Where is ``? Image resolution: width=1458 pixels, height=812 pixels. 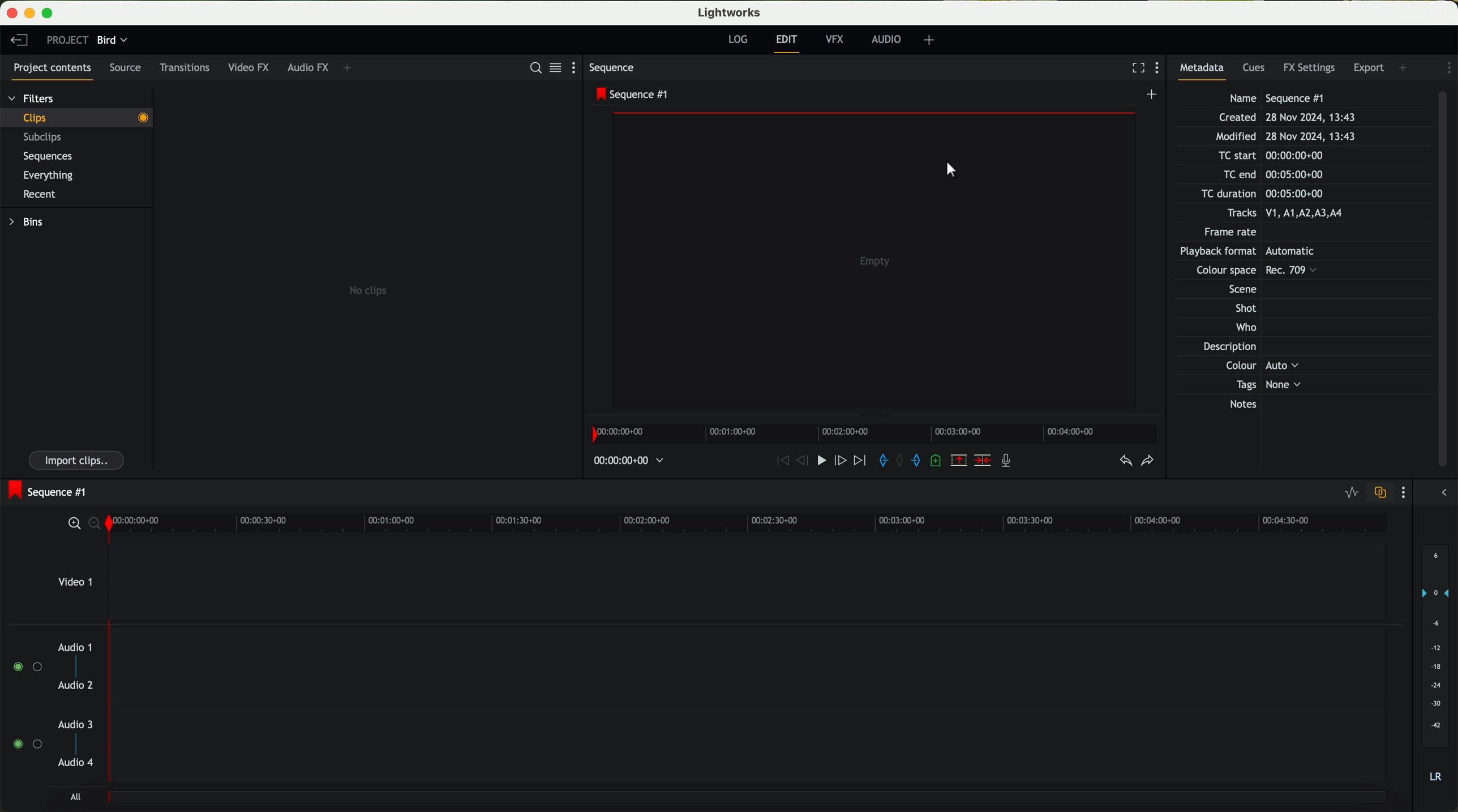  is located at coordinates (749, 749).